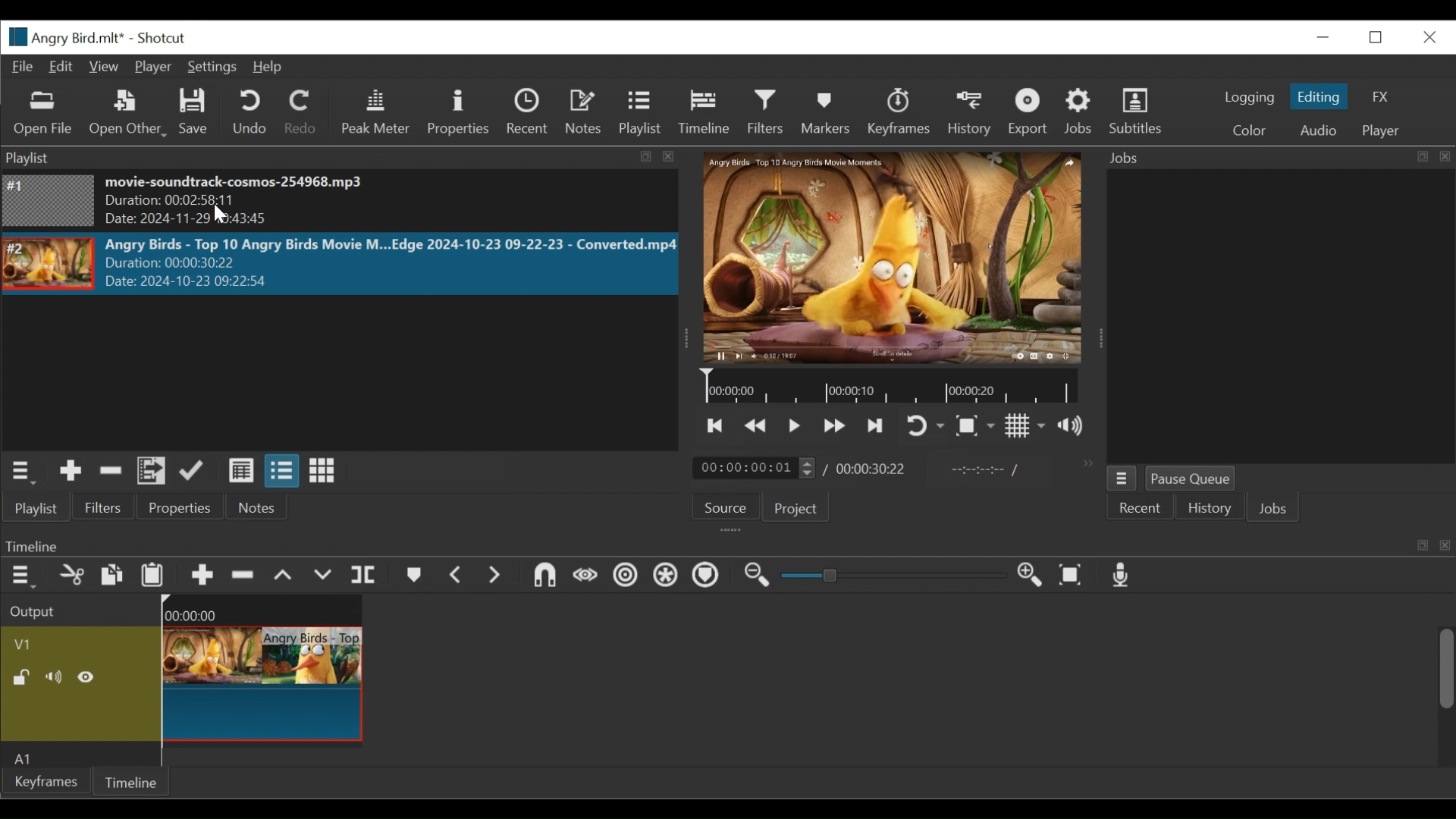 The width and height of the screenshot is (1456, 819). I want to click on In point, so click(981, 469).